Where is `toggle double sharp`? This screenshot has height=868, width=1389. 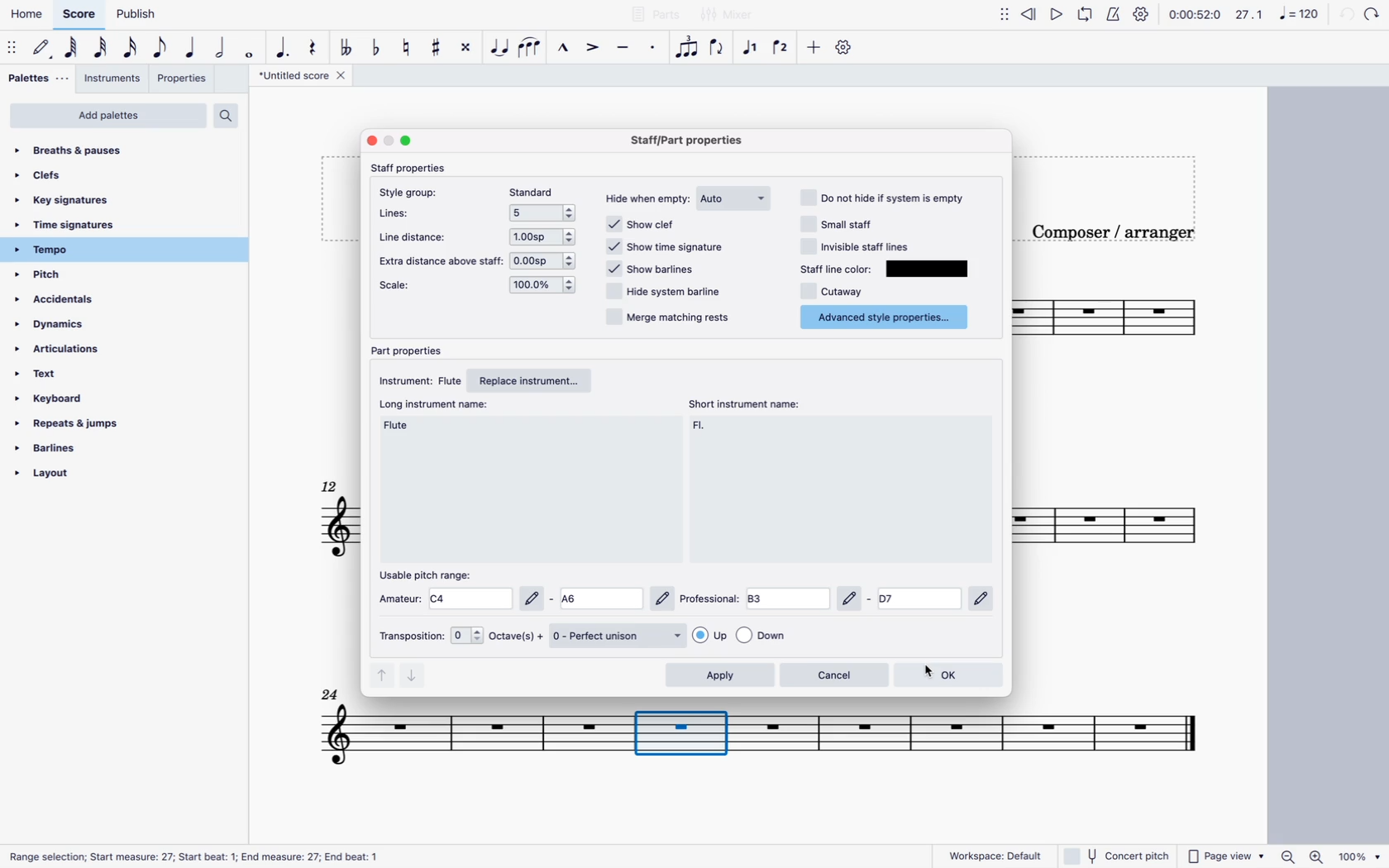
toggle double sharp is located at coordinates (464, 47).